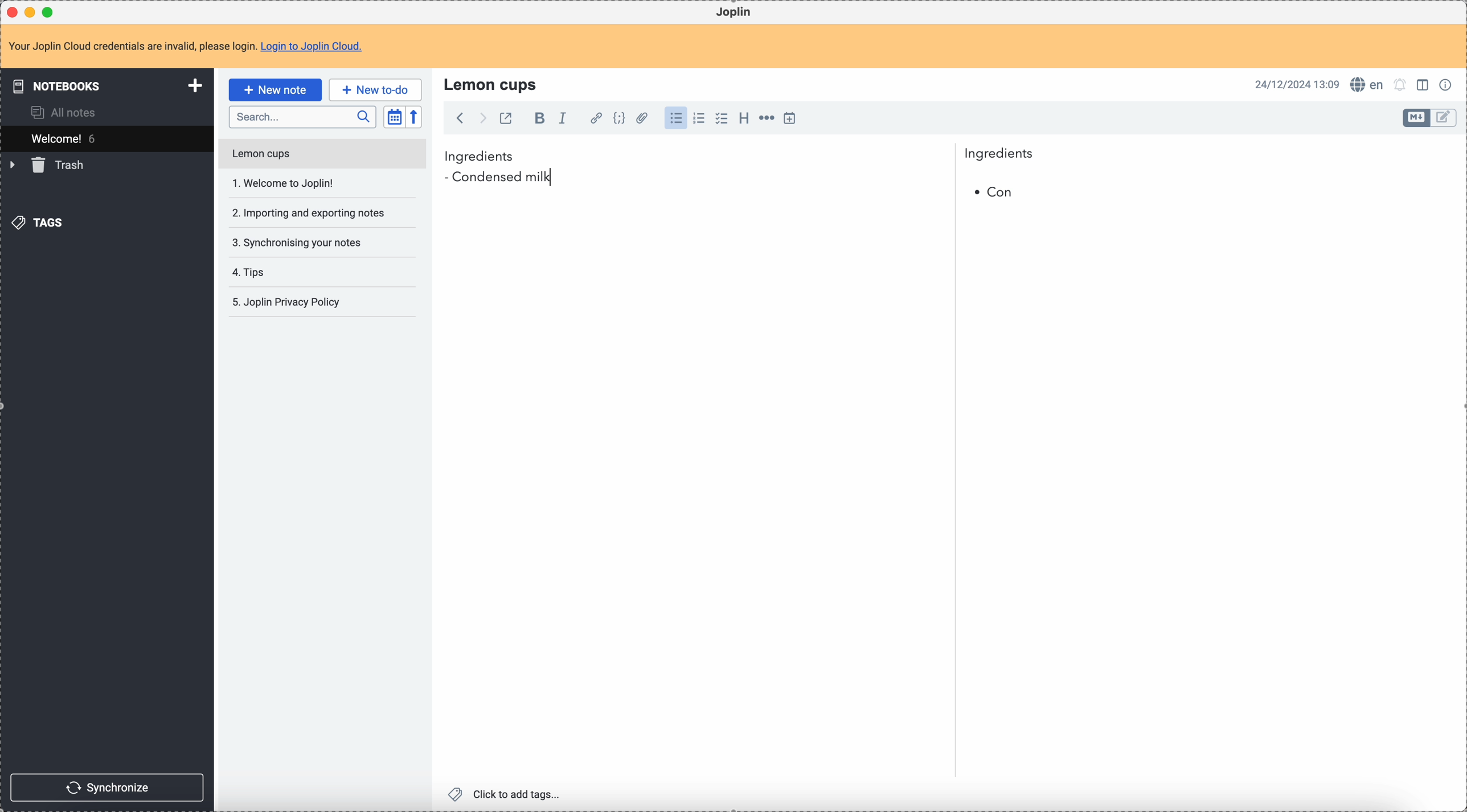  I want to click on synchronising your notes, so click(296, 241).